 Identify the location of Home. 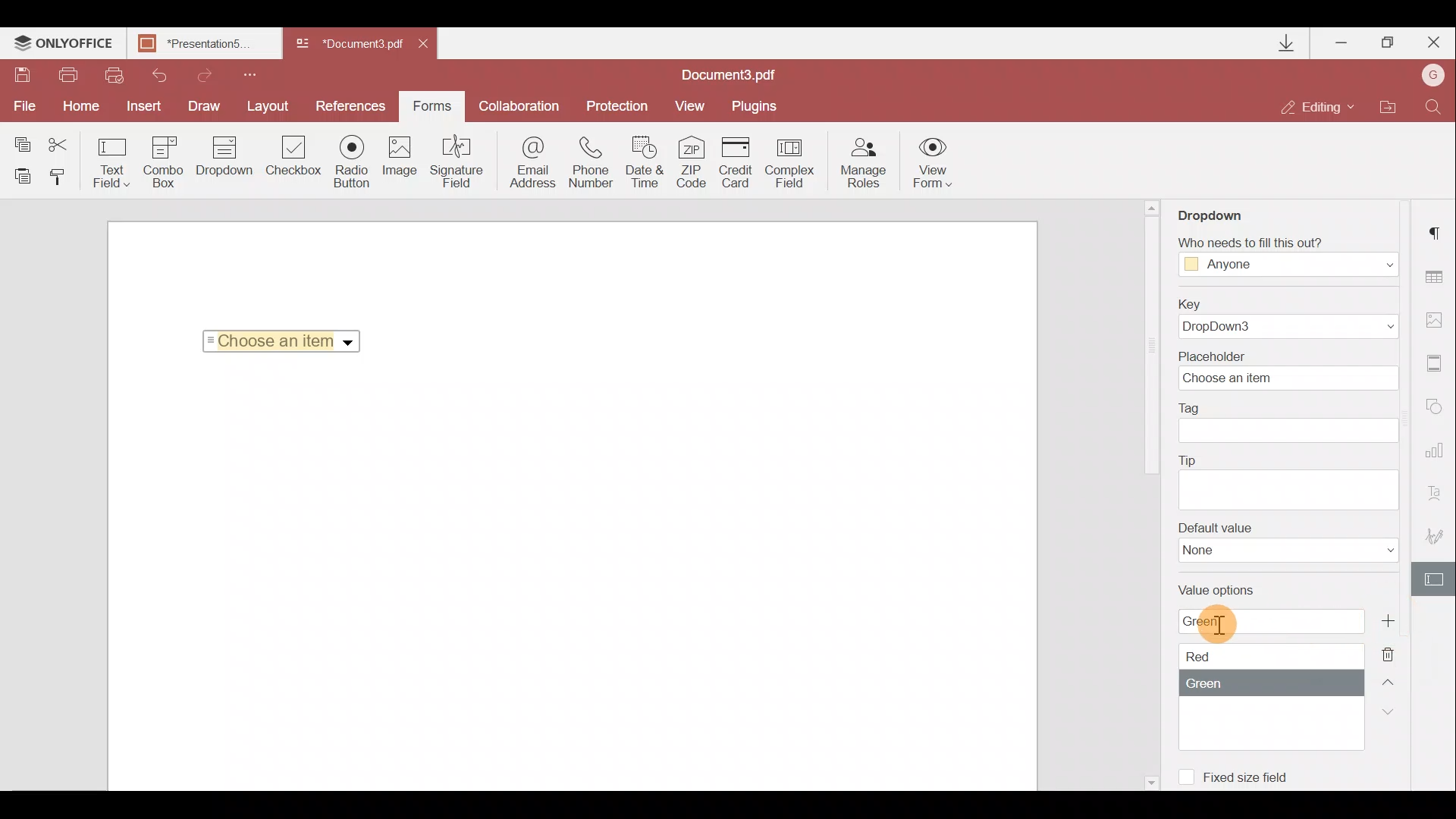
(85, 107).